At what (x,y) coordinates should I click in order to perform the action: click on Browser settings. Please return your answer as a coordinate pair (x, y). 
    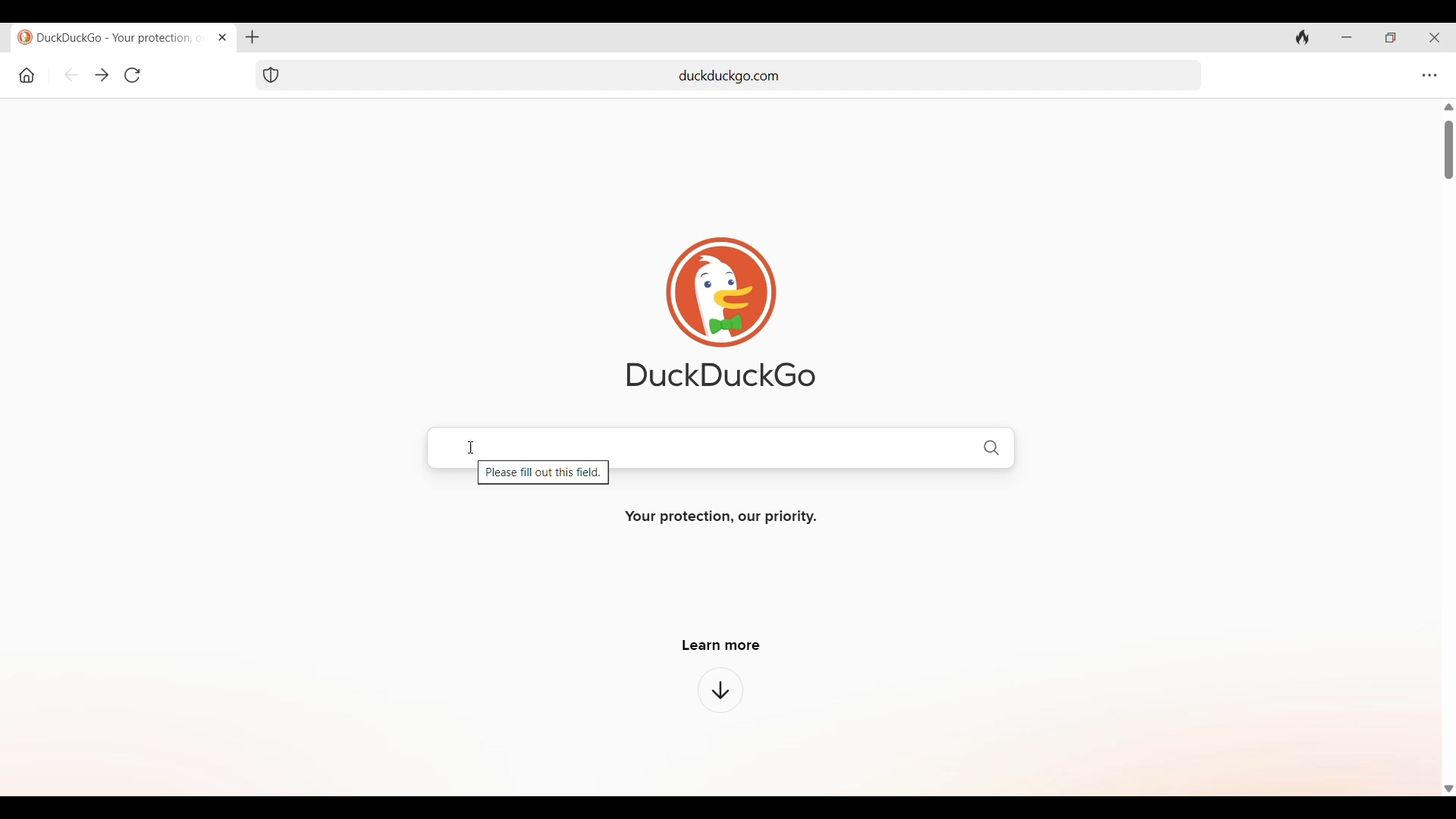
    Looking at the image, I should click on (1429, 75).